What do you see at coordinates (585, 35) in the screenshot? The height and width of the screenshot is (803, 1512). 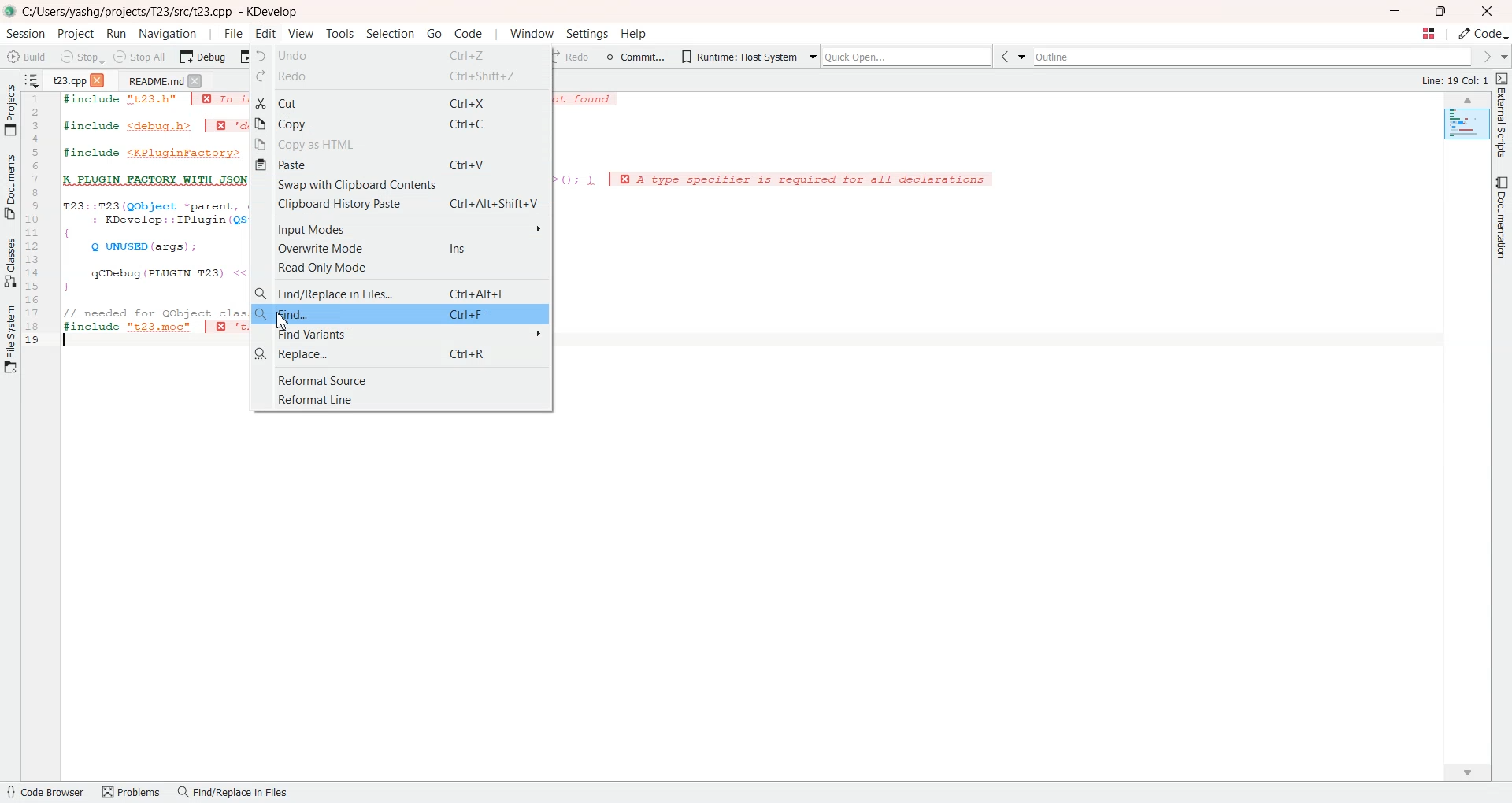 I see `Settings` at bounding box center [585, 35].